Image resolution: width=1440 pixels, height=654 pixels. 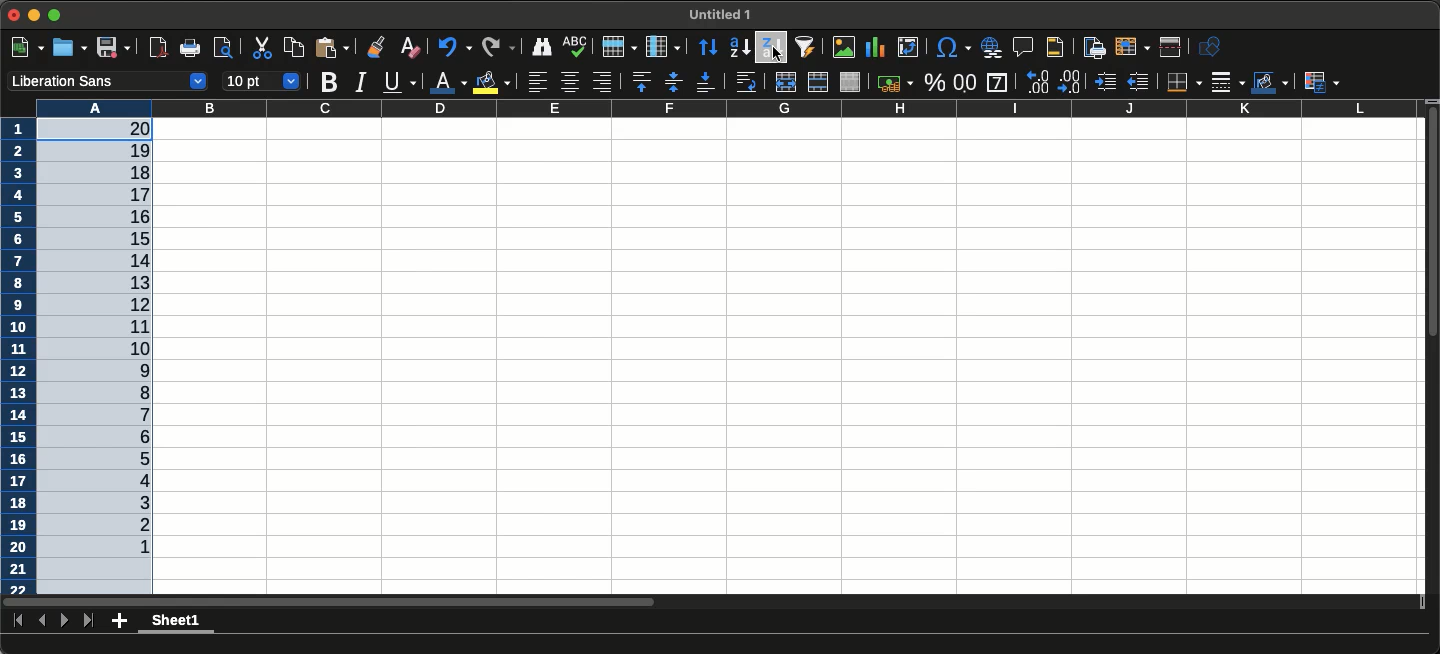 I want to click on Underline, so click(x=399, y=81).